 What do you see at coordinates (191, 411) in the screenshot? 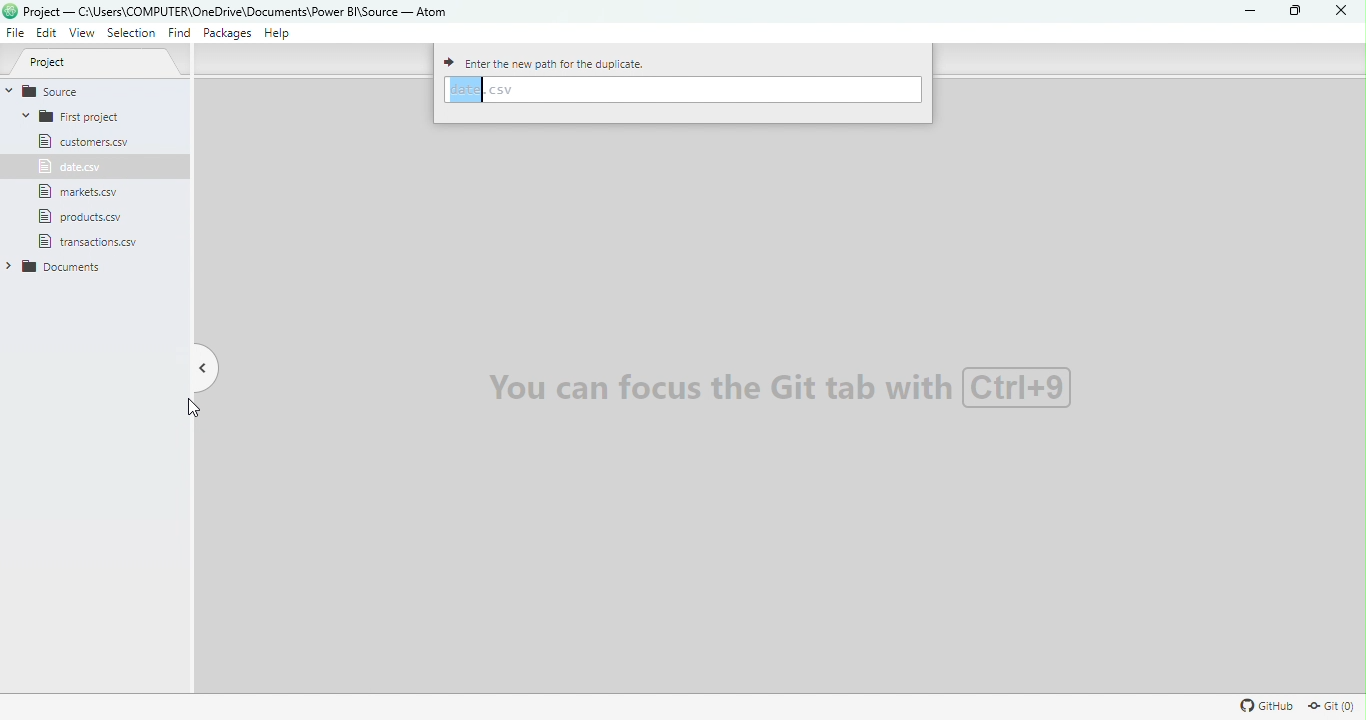
I see `Cursor` at bounding box center [191, 411].